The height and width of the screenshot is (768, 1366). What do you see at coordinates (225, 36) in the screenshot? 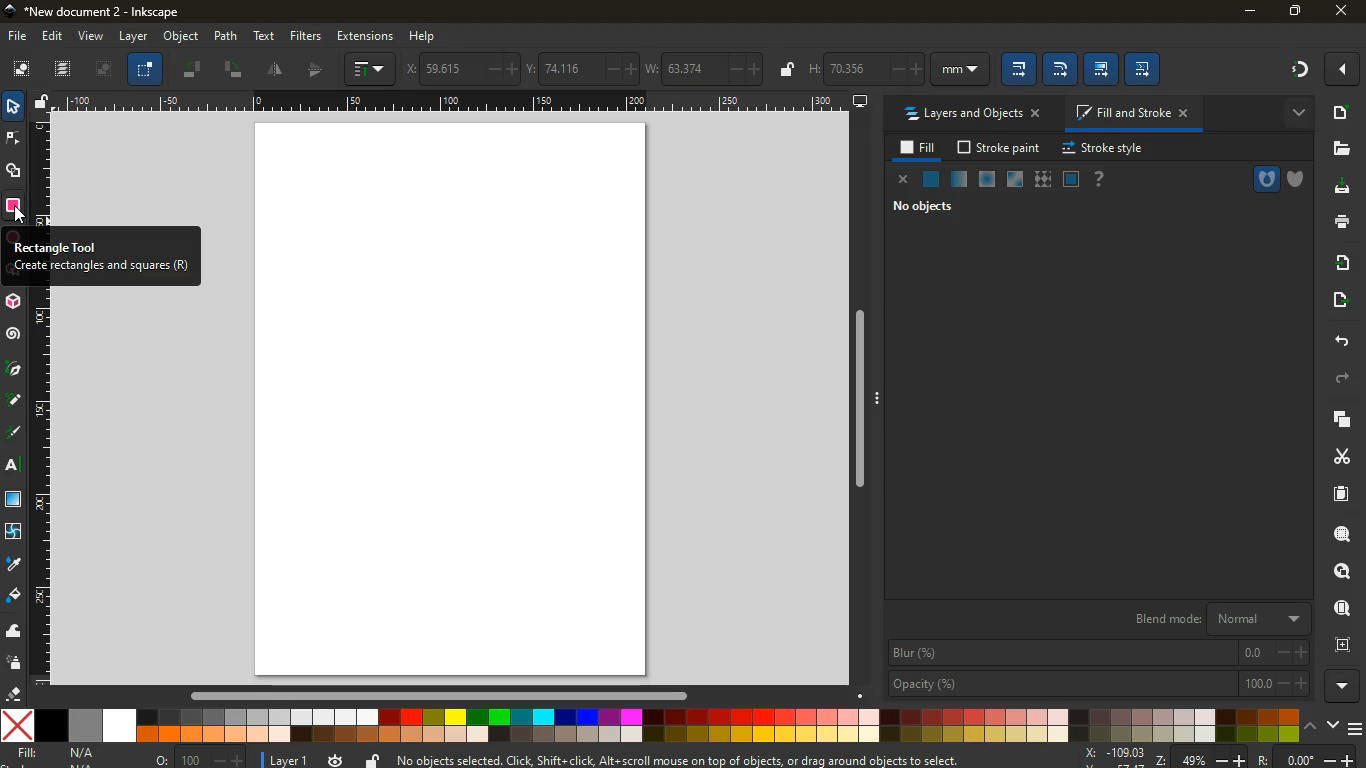
I see `path` at bounding box center [225, 36].